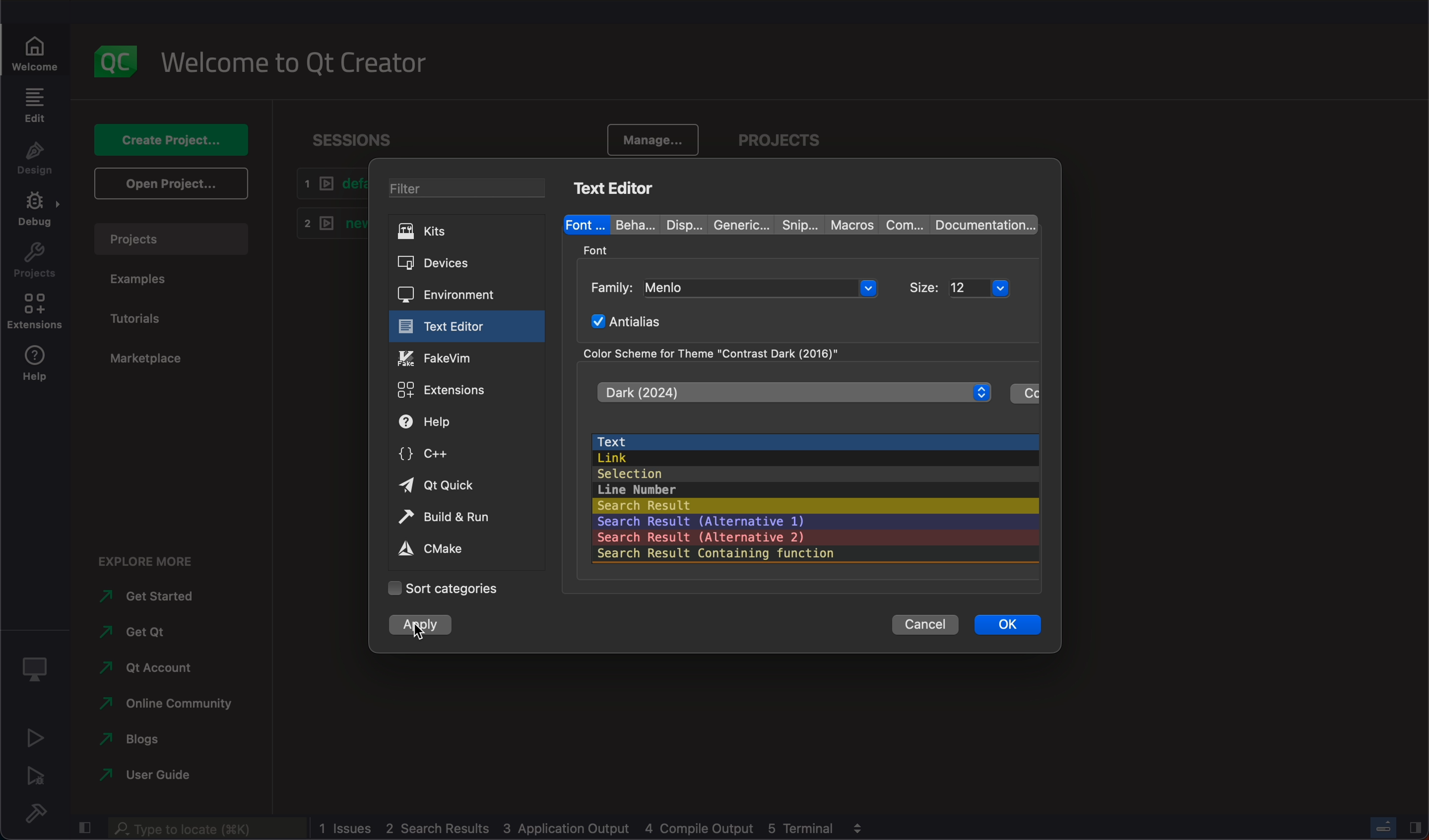 The height and width of the screenshot is (840, 1429). Describe the element at coordinates (675, 223) in the screenshot. I see `disp` at that location.